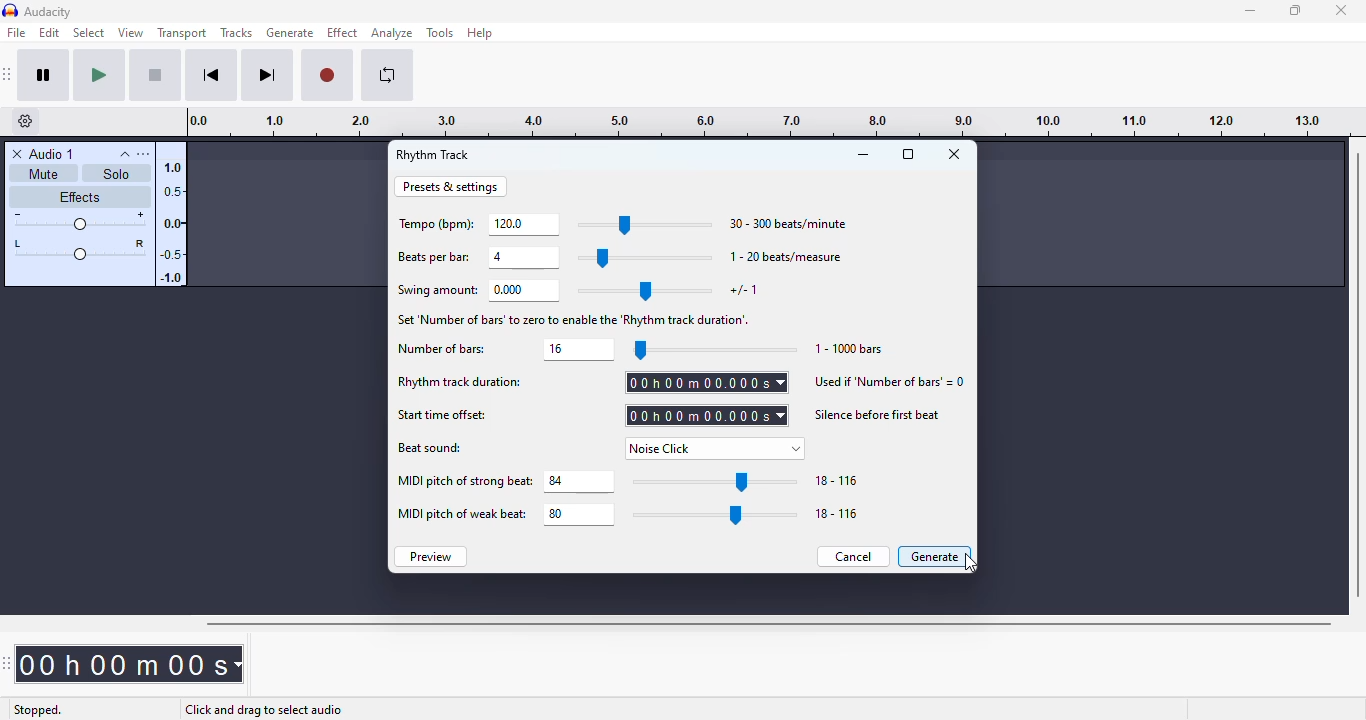 The width and height of the screenshot is (1366, 720). I want to click on view, so click(131, 32).